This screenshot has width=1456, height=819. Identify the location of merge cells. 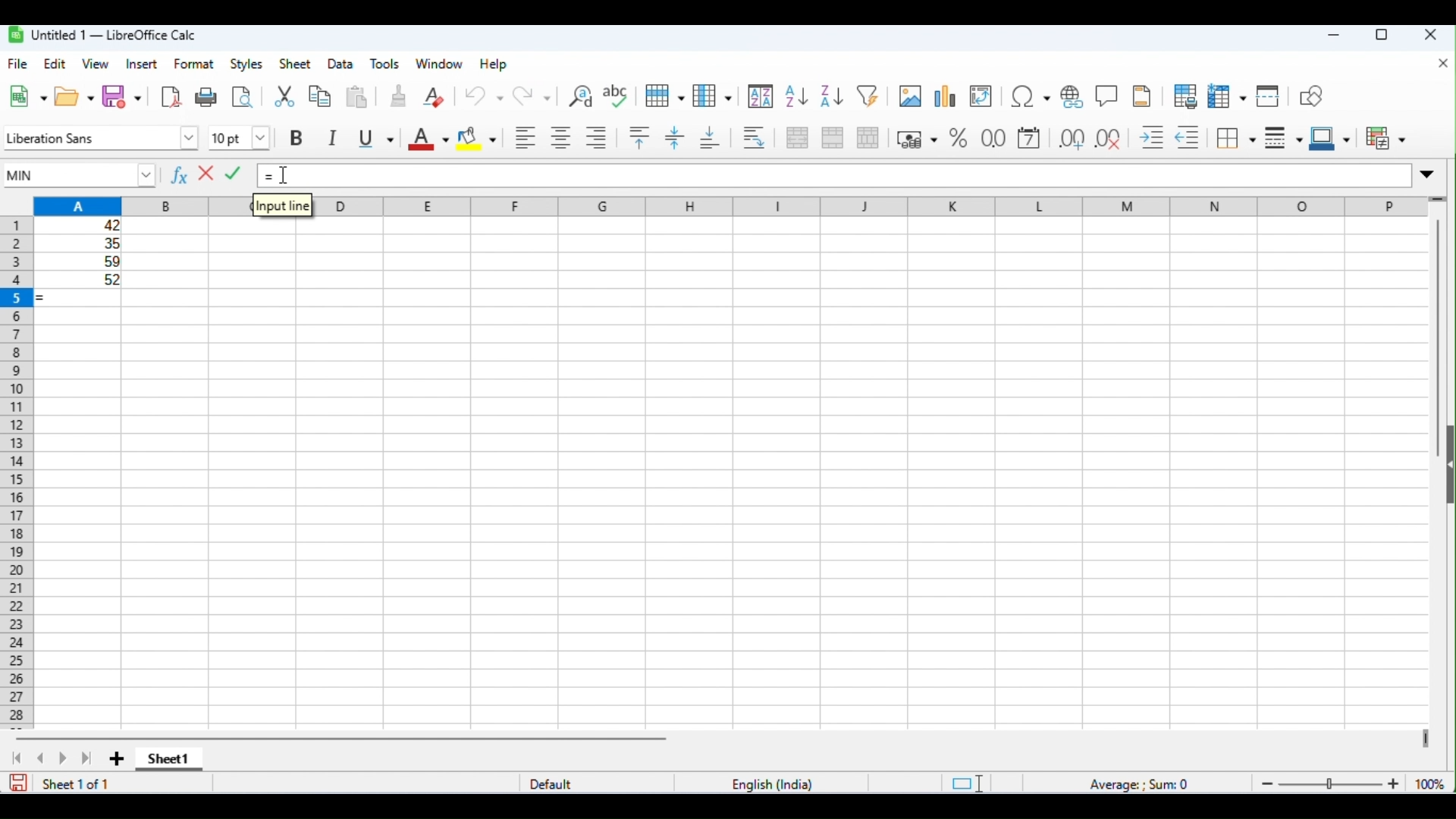
(832, 137).